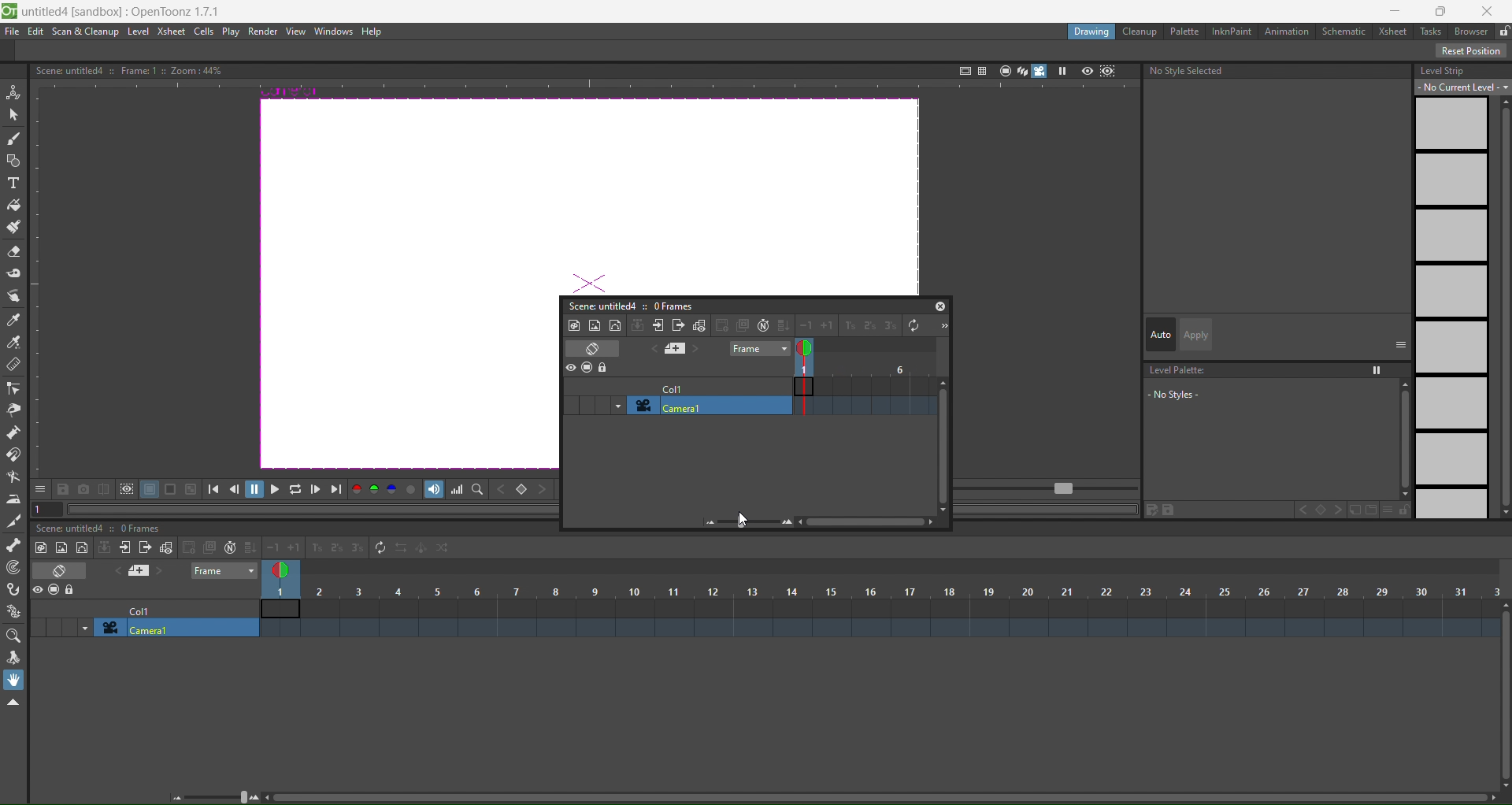  What do you see at coordinates (145, 529) in the screenshot?
I see `0 frames` at bounding box center [145, 529].